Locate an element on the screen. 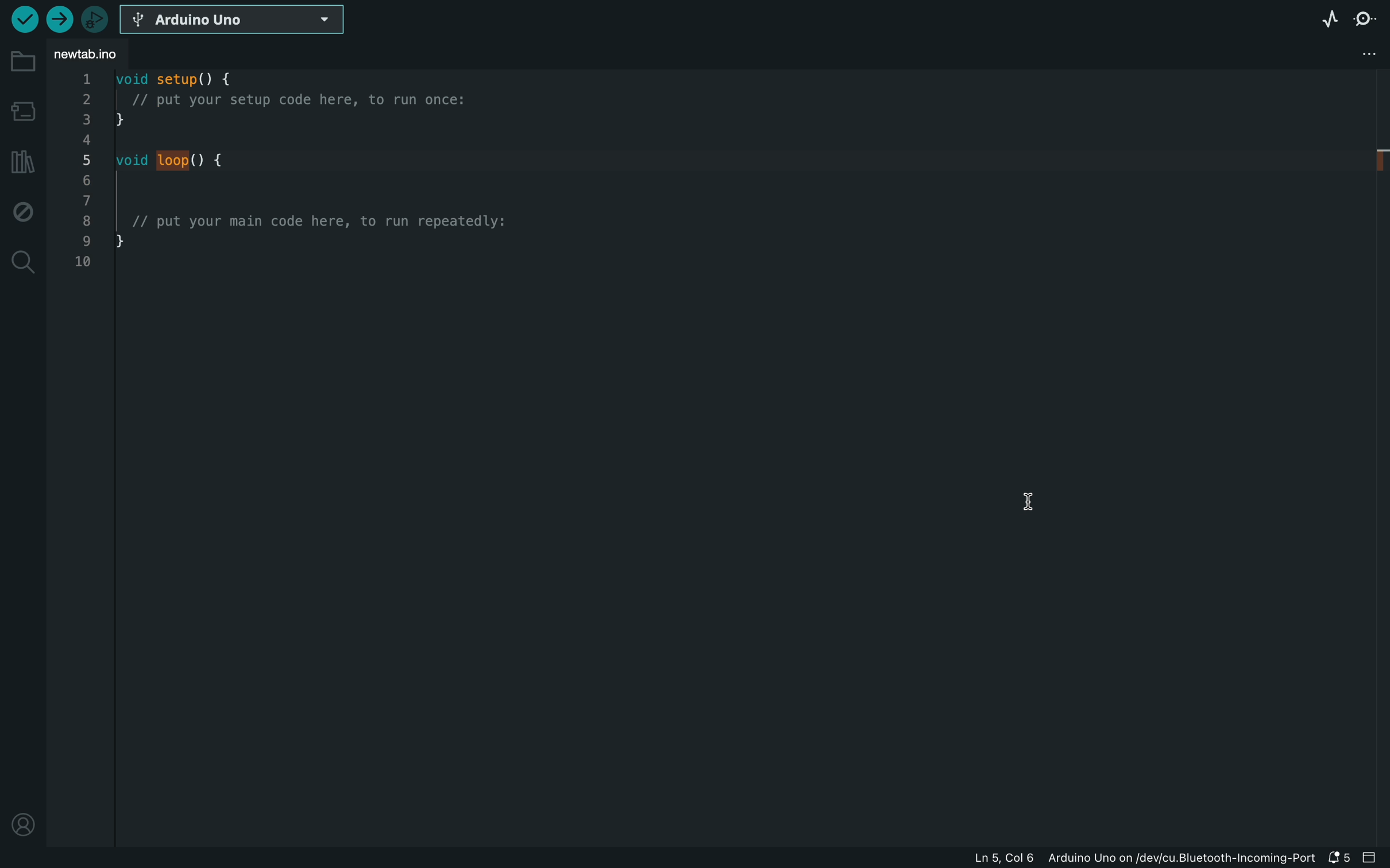 The height and width of the screenshot is (868, 1390). upload is located at coordinates (61, 18).